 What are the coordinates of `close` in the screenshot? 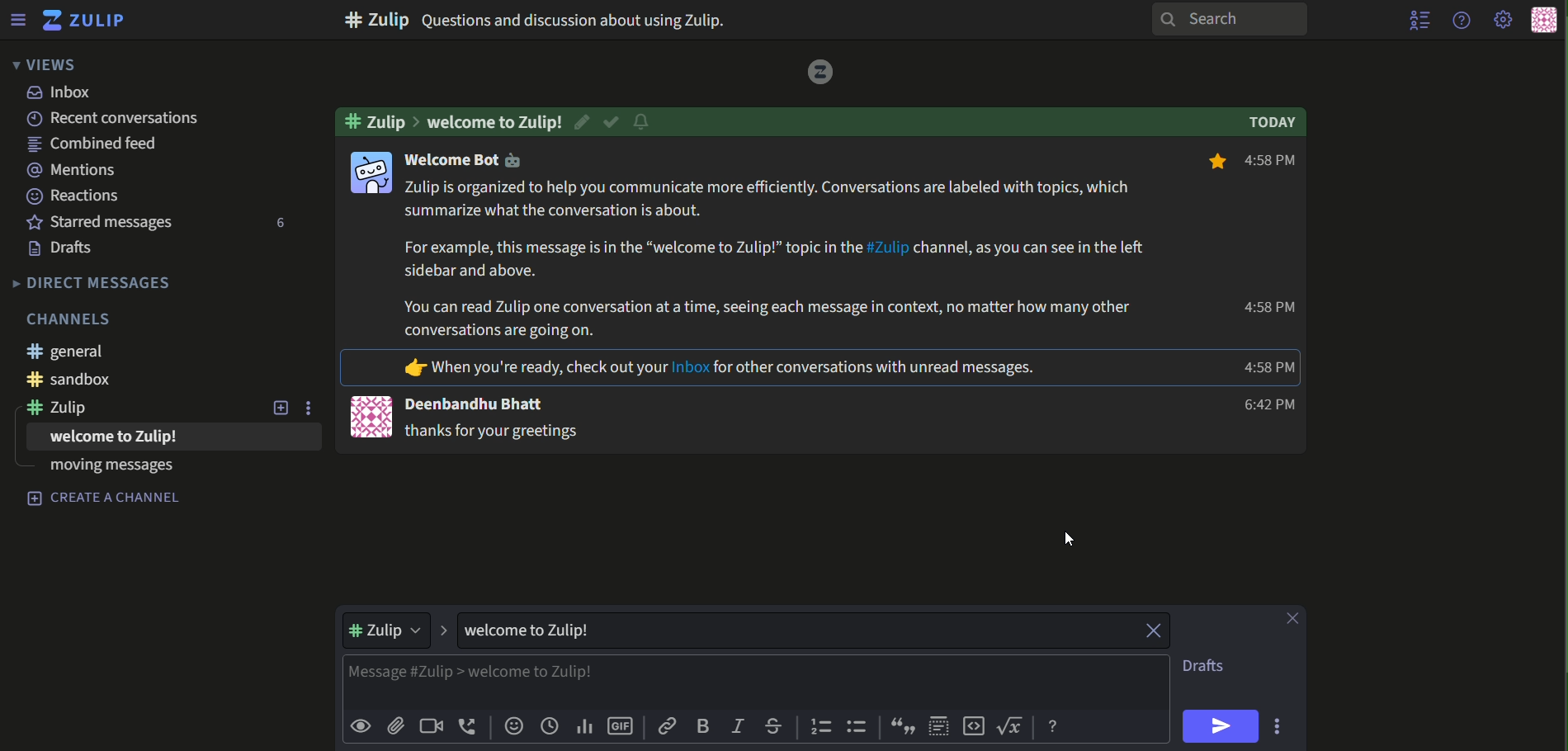 It's located at (1145, 630).